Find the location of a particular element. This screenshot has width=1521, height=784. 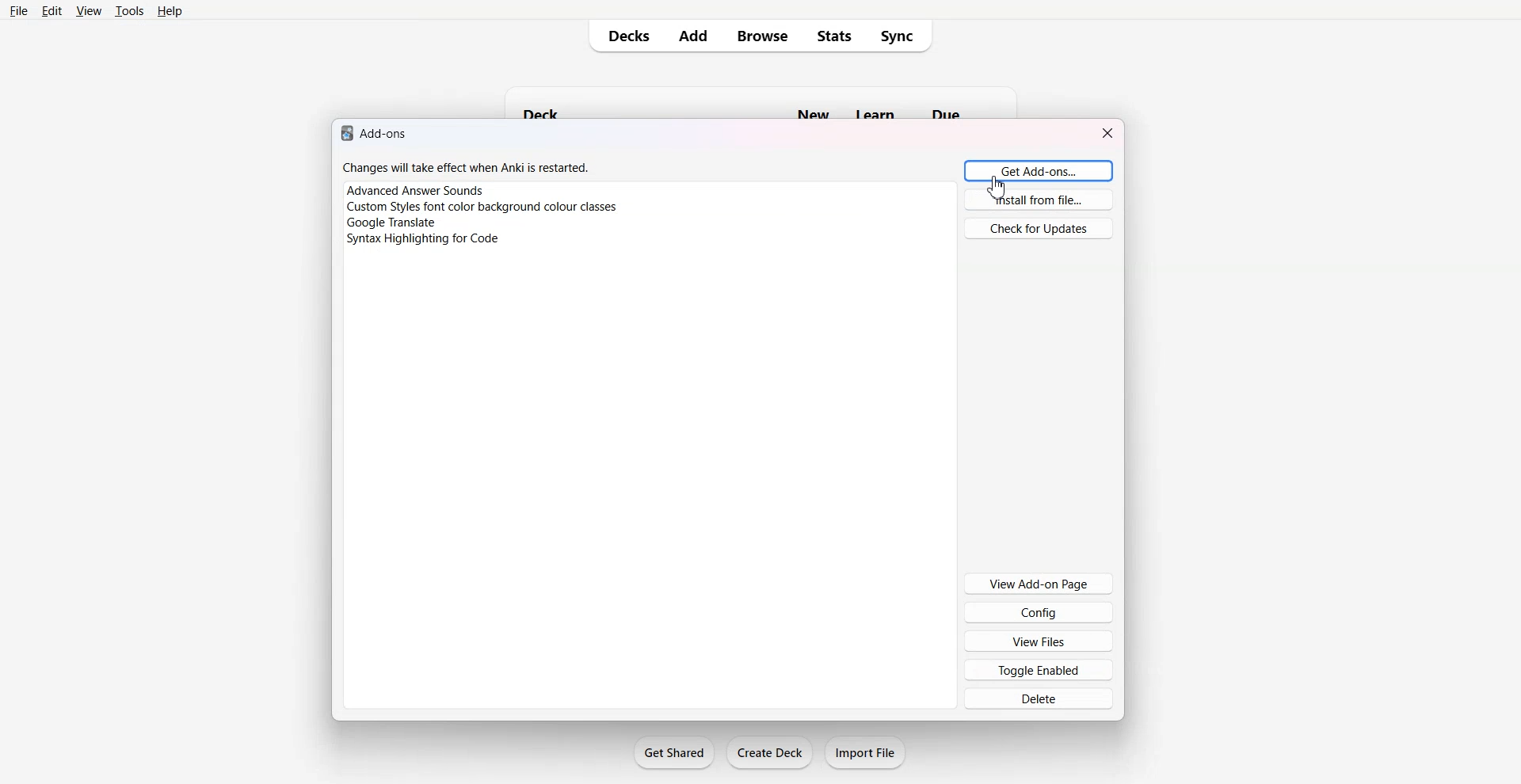

changes will take effect when Anki is restarted. is located at coordinates (466, 167).